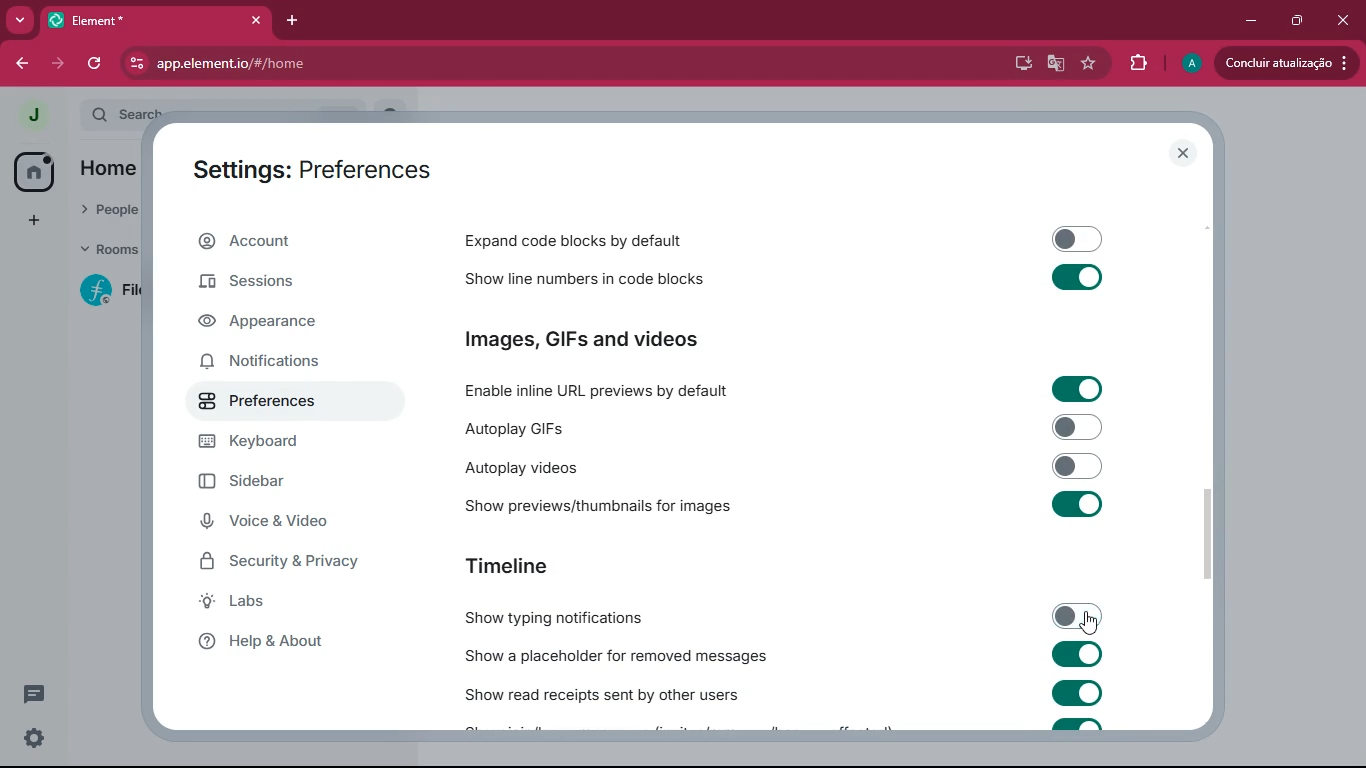 This screenshot has width=1366, height=768. I want to click on google translate, so click(1057, 65).